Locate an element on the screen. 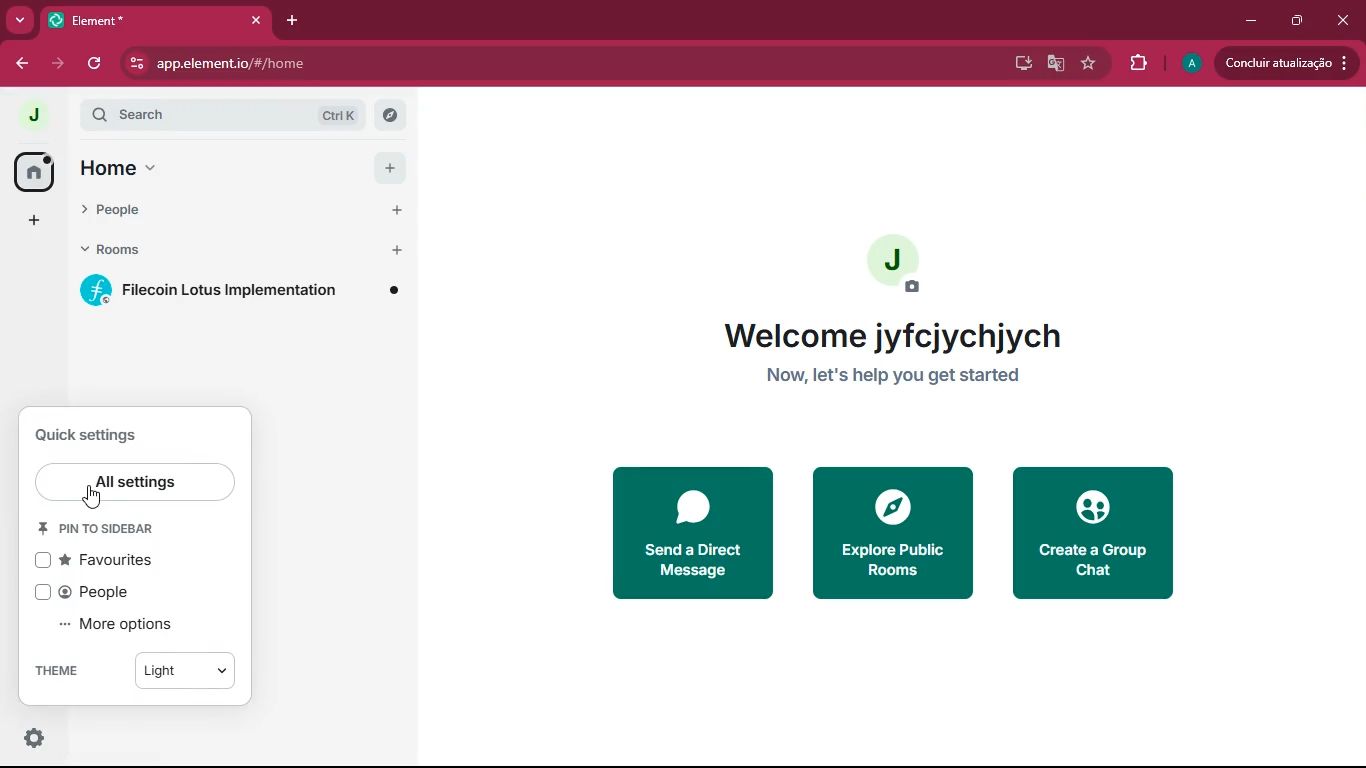 The width and height of the screenshot is (1366, 768). add tab is located at coordinates (294, 20).